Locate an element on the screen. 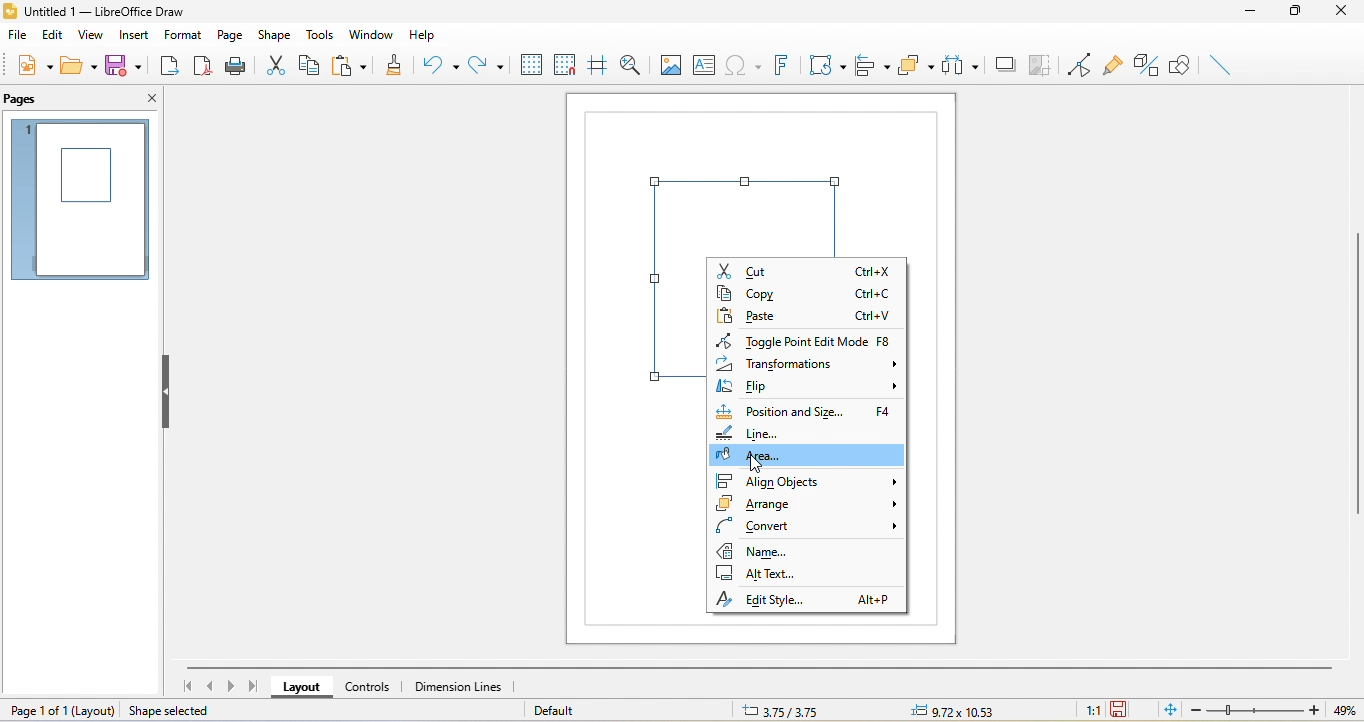 This screenshot has width=1364, height=722. previous page is located at coordinates (208, 686).